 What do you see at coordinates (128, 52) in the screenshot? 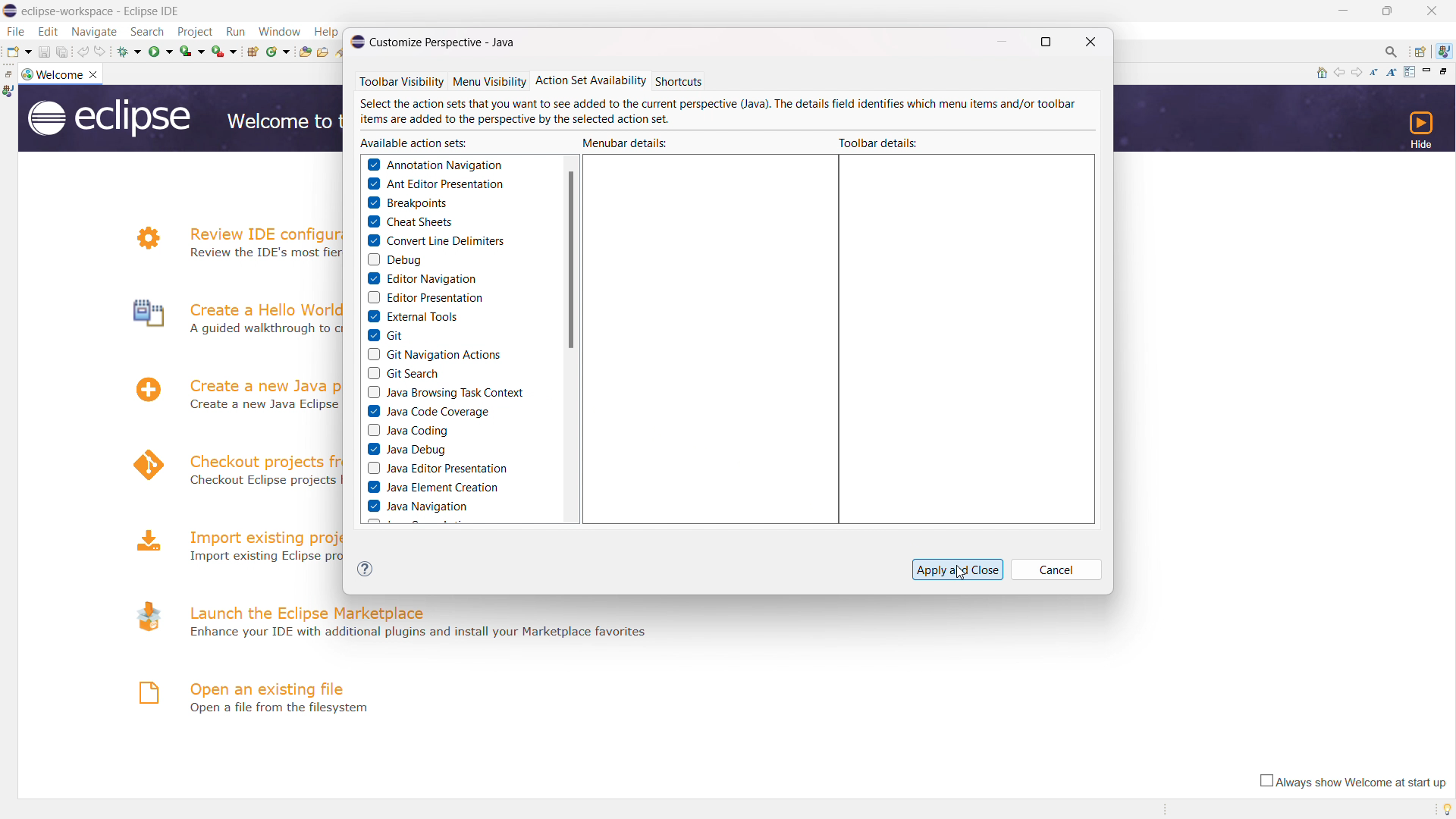
I see `debug` at bounding box center [128, 52].